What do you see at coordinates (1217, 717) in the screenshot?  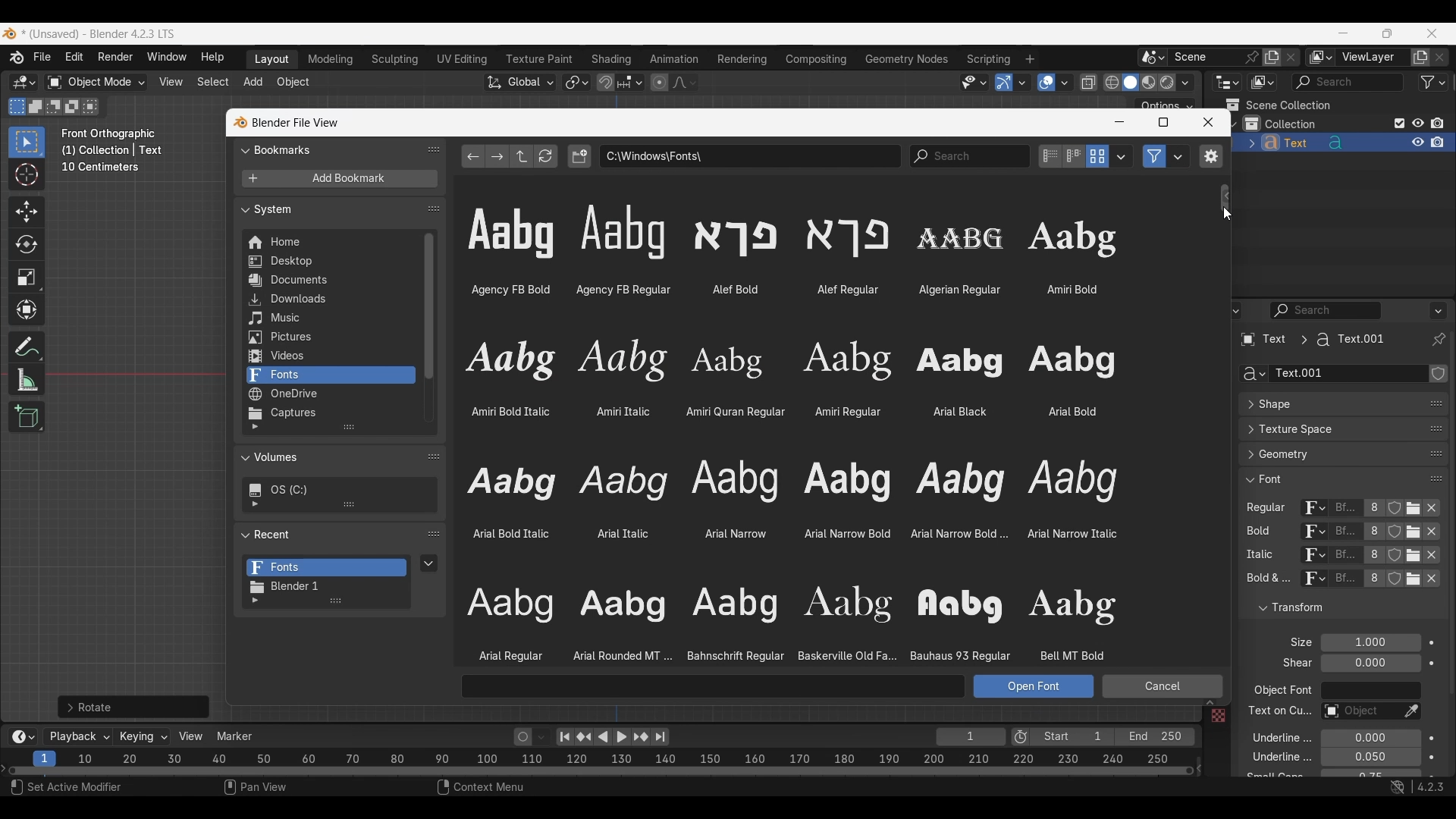 I see `` at bounding box center [1217, 717].